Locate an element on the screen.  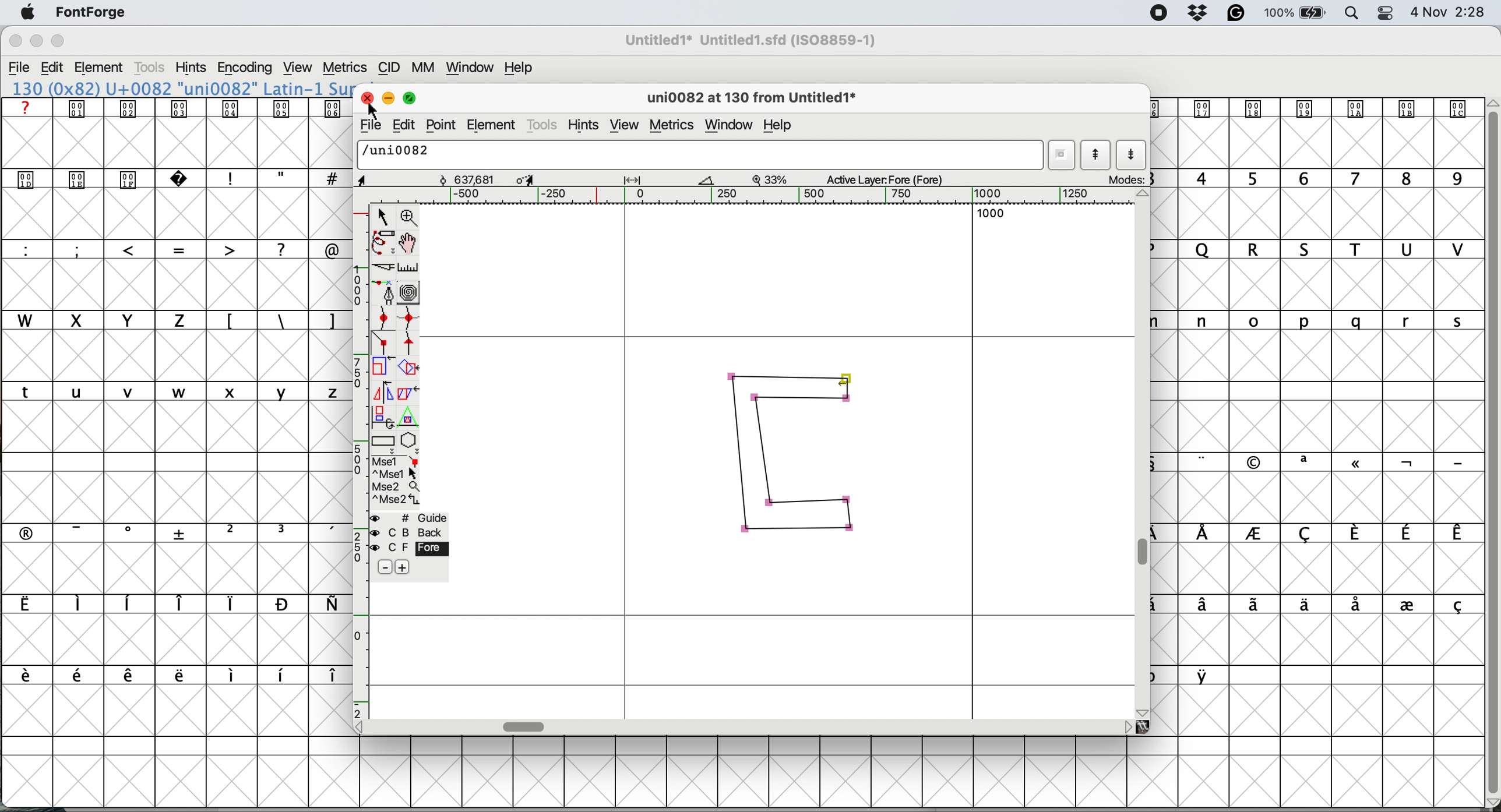
metrics is located at coordinates (344, 68).